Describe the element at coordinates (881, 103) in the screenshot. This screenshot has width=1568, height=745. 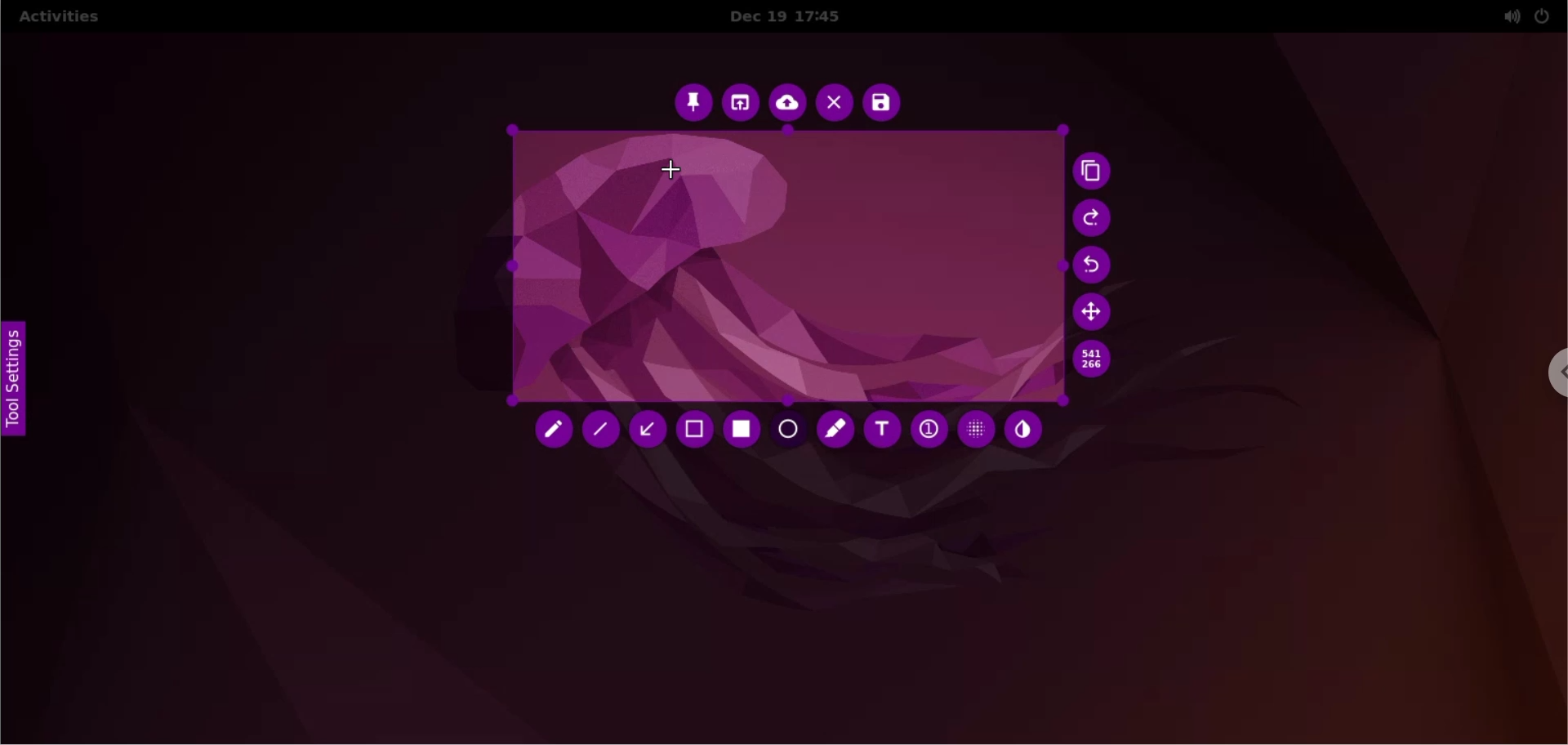
I see `save` at that location.